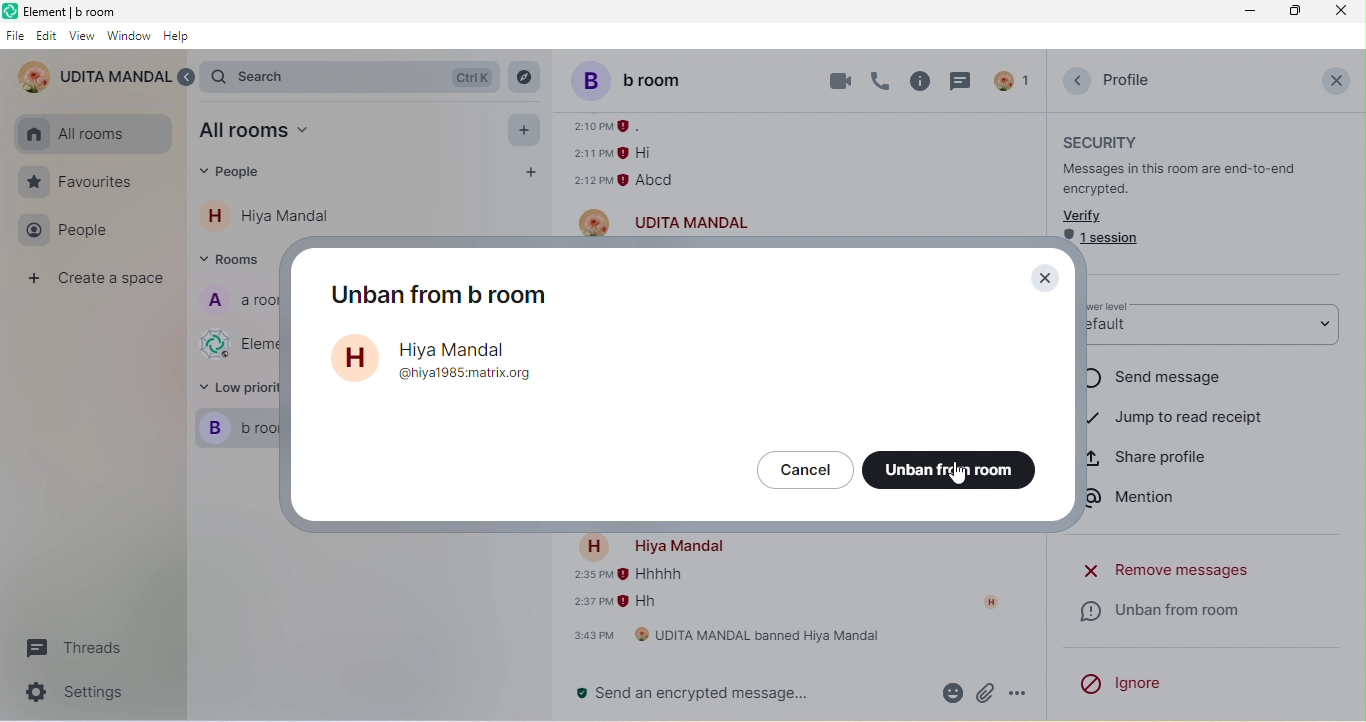 The width and height of the screenshot is (1366, 722). Describe the element at coordinates (189, 78) in the screenshot. I see `expand` at that location.